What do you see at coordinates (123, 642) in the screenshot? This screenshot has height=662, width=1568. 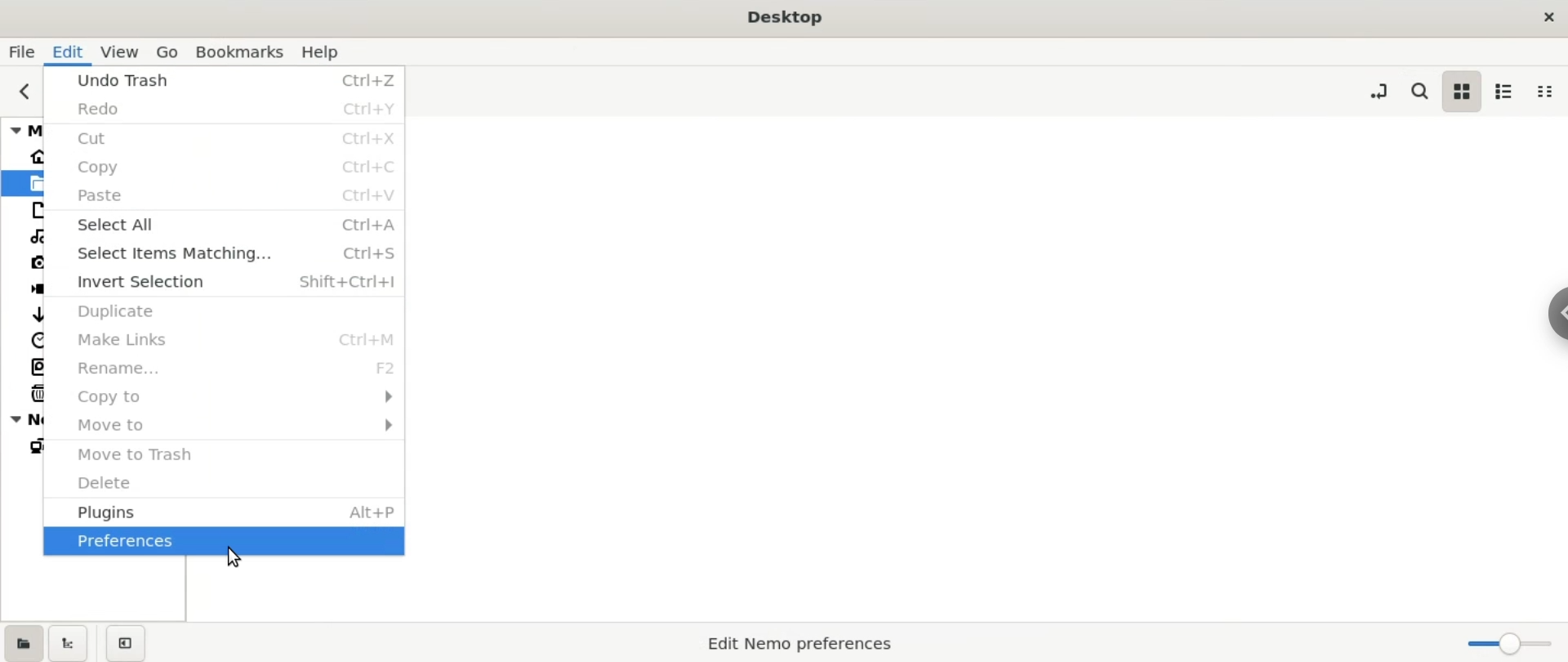 I see `close sidebars` at bounding box center [123, 642].